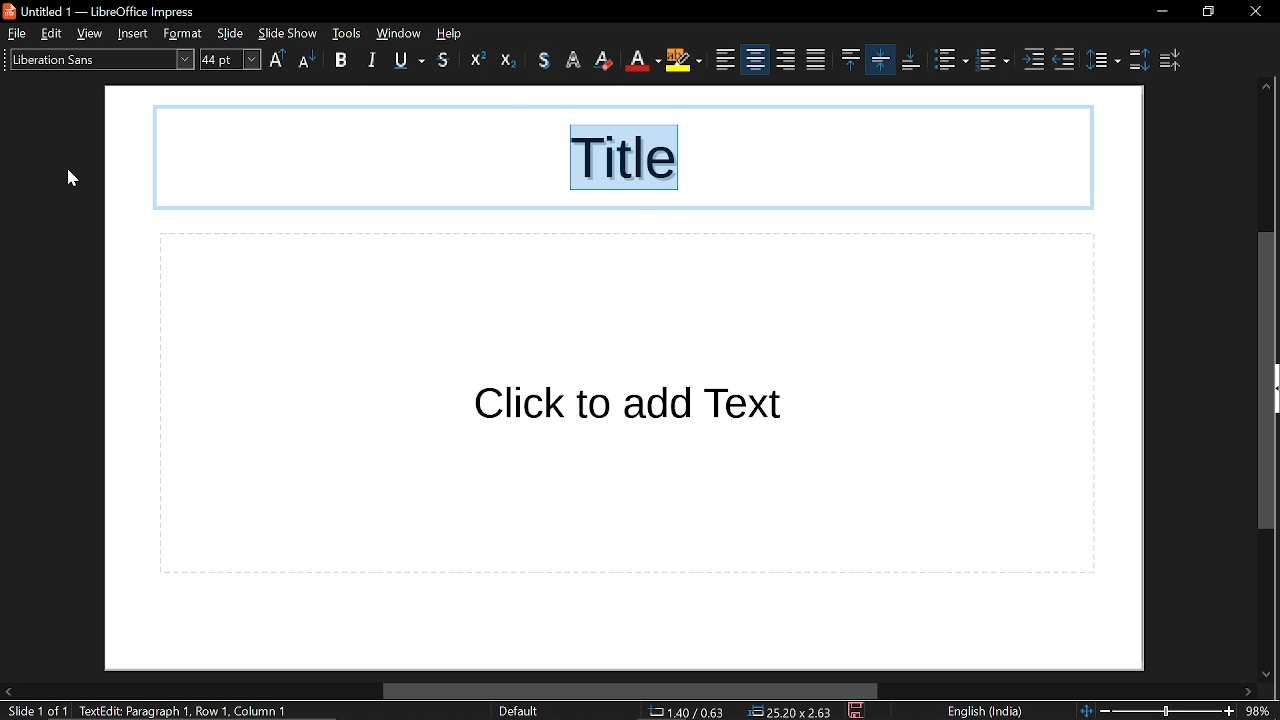 Image resolution: width=1280 pixels, height=720 pixels. I want to click on horizontal scrollbar, so click(630, 692).